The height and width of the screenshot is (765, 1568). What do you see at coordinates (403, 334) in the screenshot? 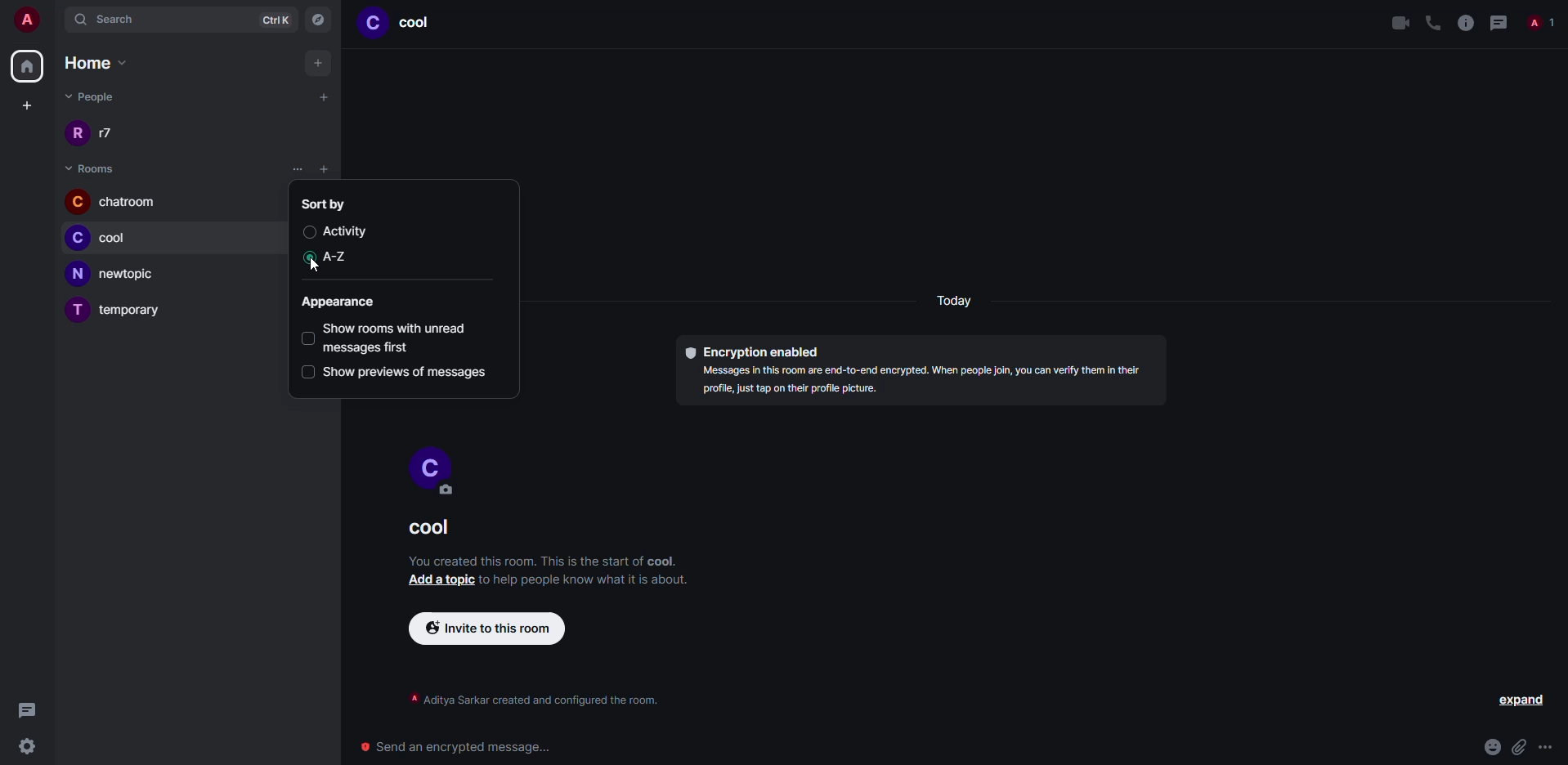
I see `show rooms with unread first` at bounding box center [403, 334].